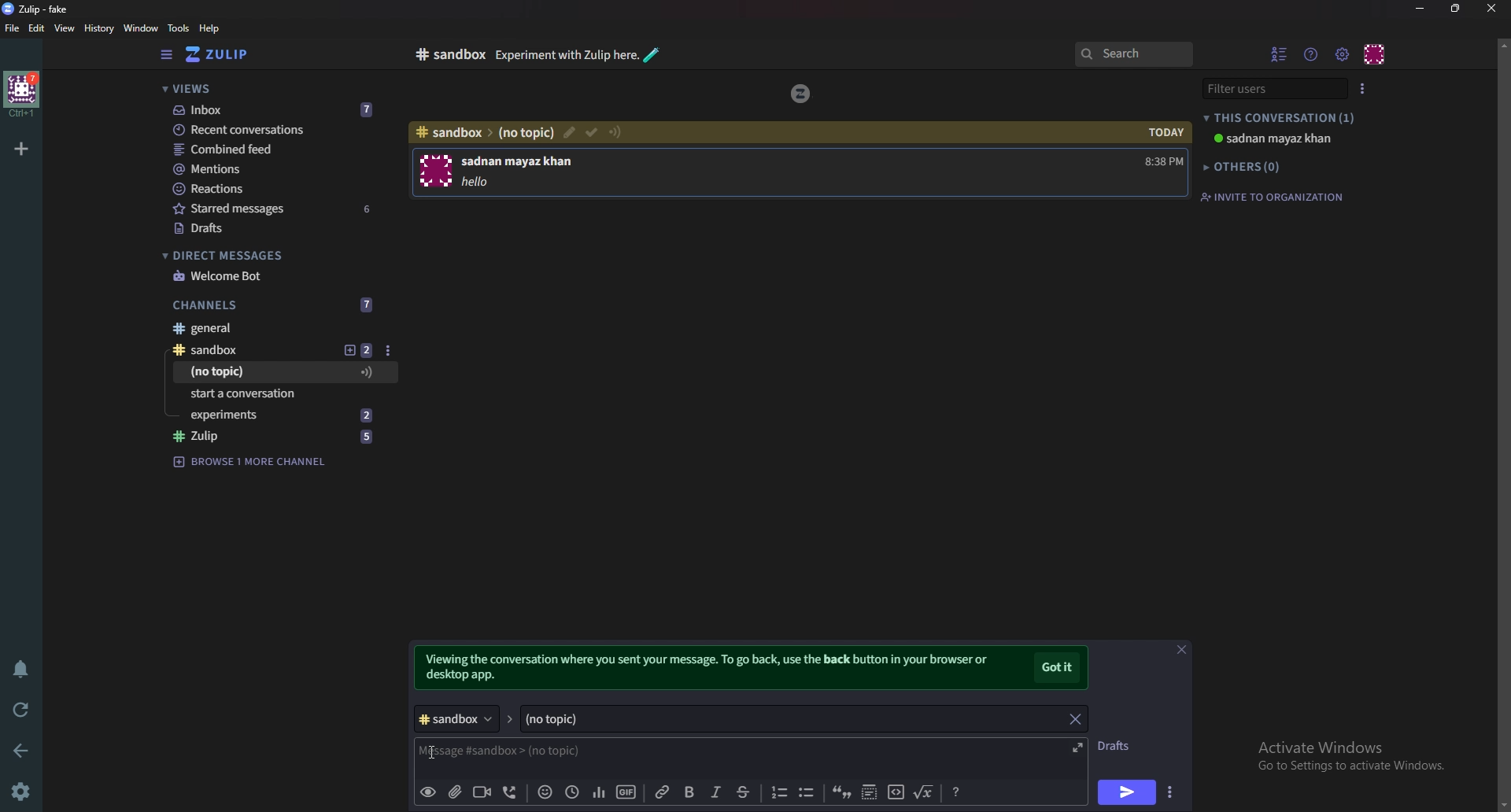 The image size is (1511, 812). I want to click on Strike through, so click(744, 792).